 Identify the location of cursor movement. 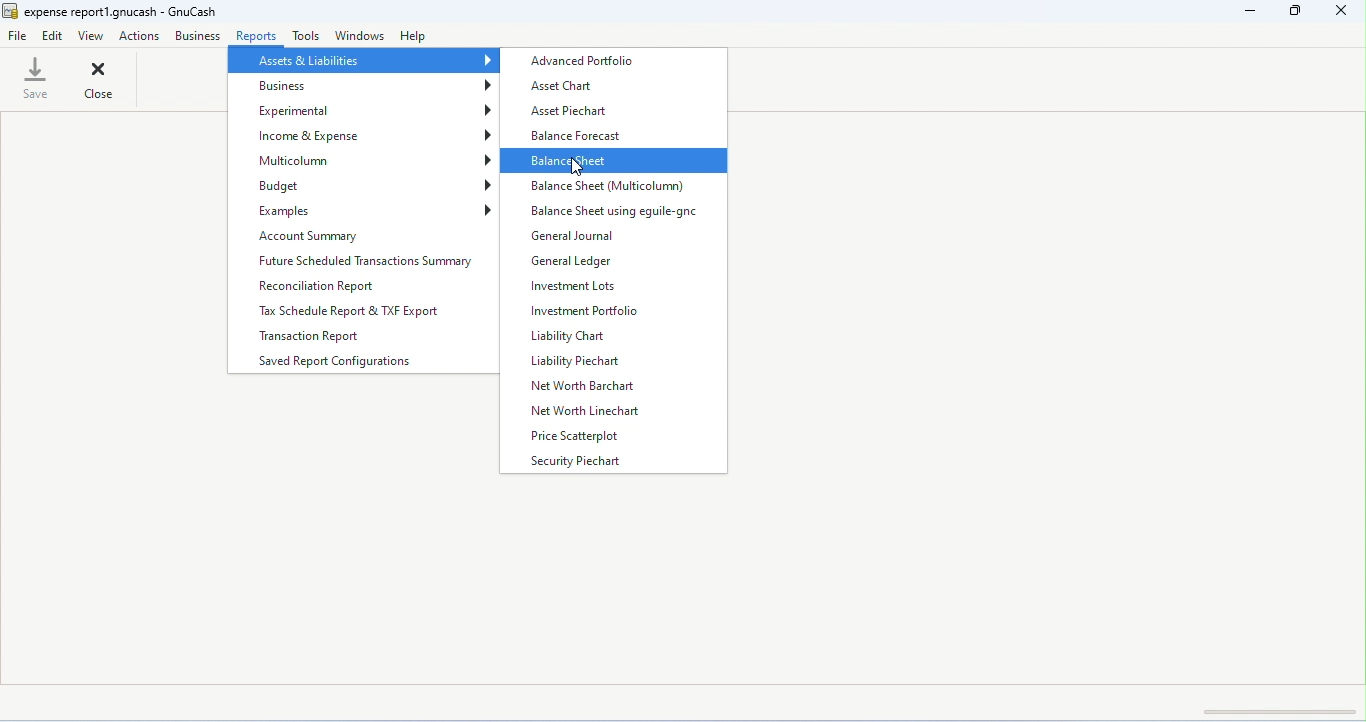
(577, 167).